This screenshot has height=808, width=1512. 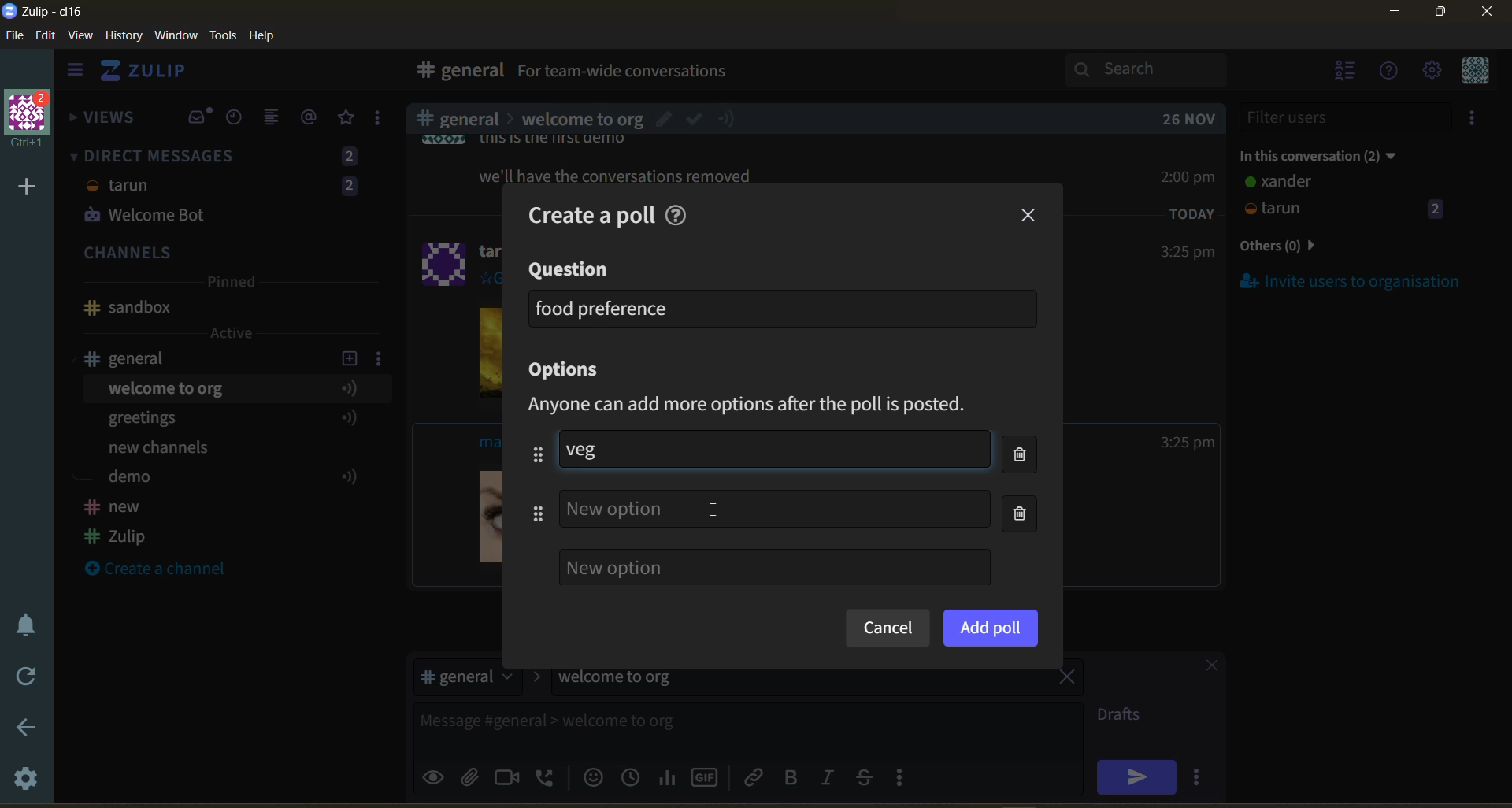 What do you see at coordinates (154, 75) in the screenshot?
I see `home view` at bounding box center [154, 75].